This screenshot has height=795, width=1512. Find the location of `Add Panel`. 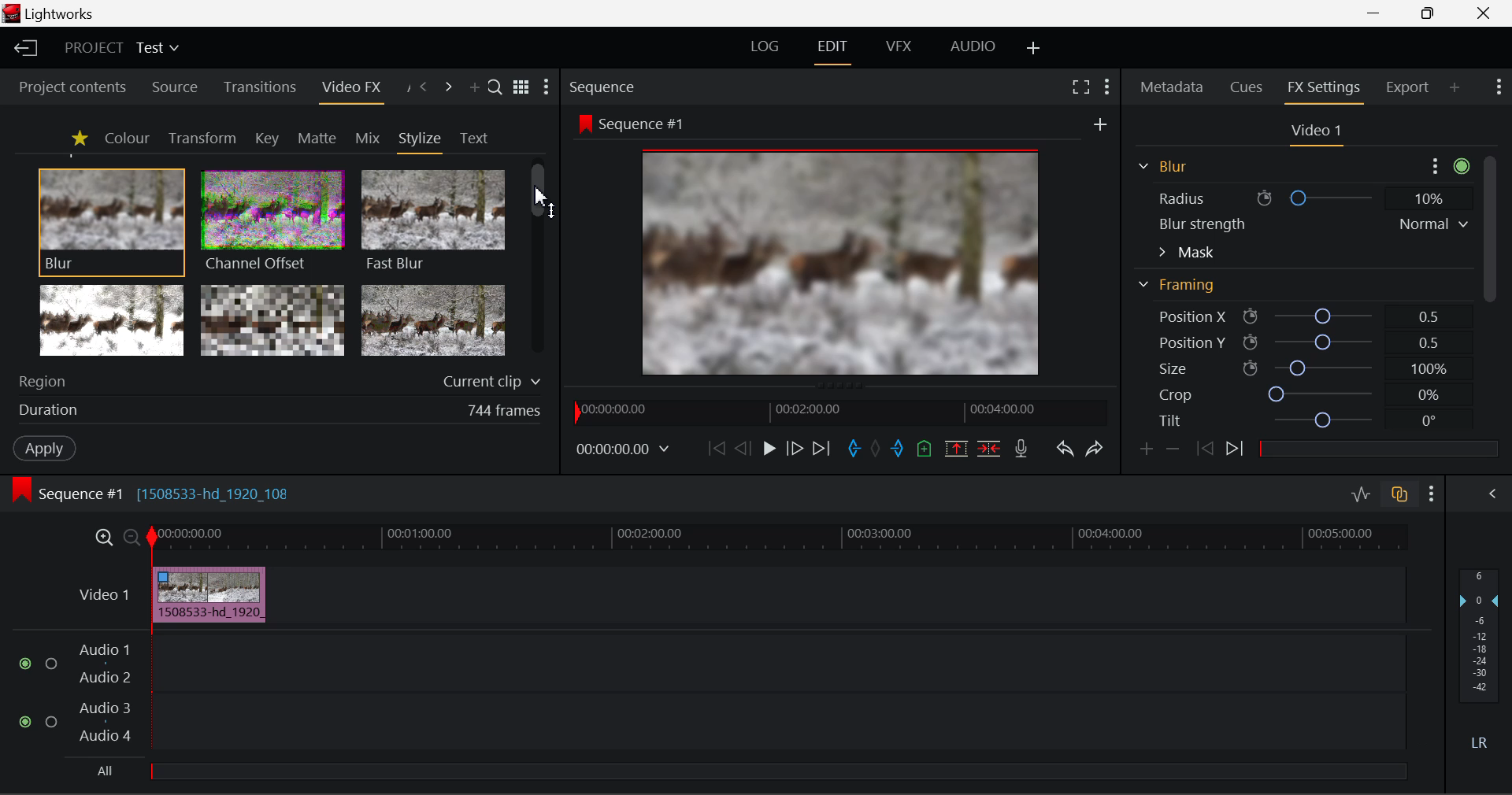

Add Panel is located at coordinates (1455, 89).